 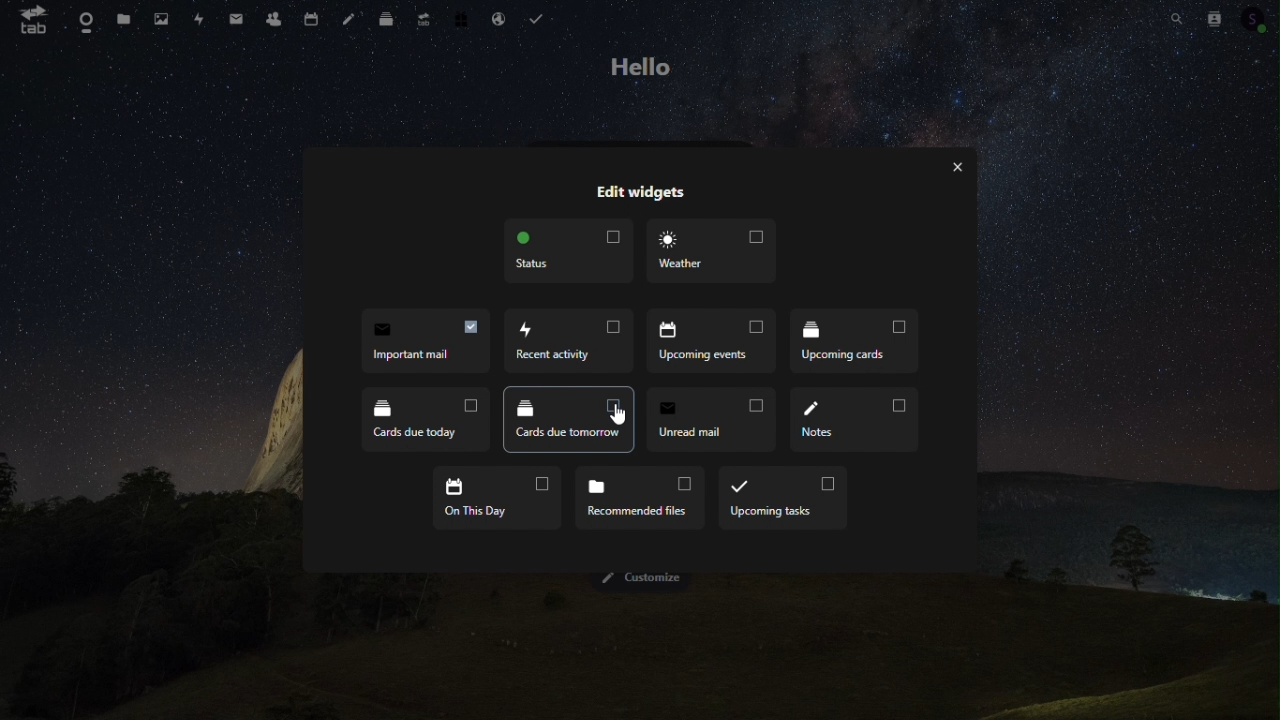 I want to click on Hello, so click(x=640, y=66).